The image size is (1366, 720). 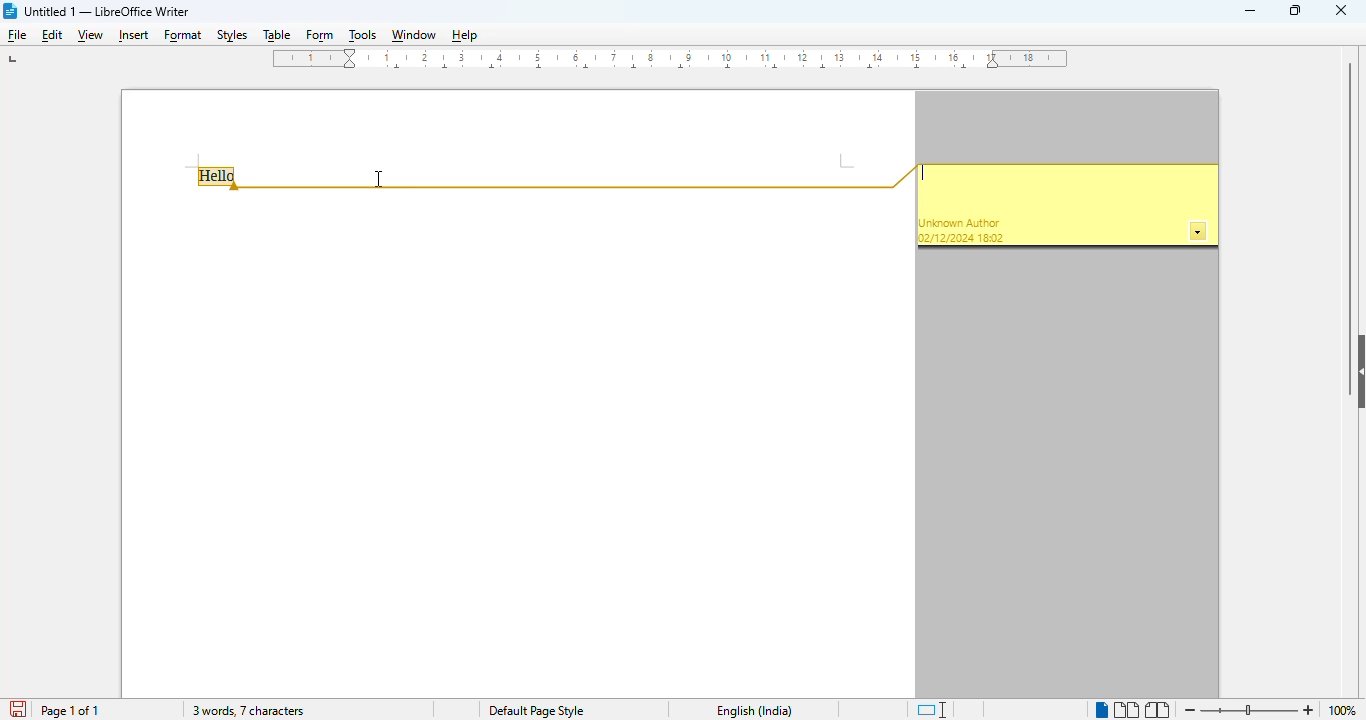 What do you see at coordinates (515, 126) in the screenshot?
I see `workspace` at bounding box center [515, 126].